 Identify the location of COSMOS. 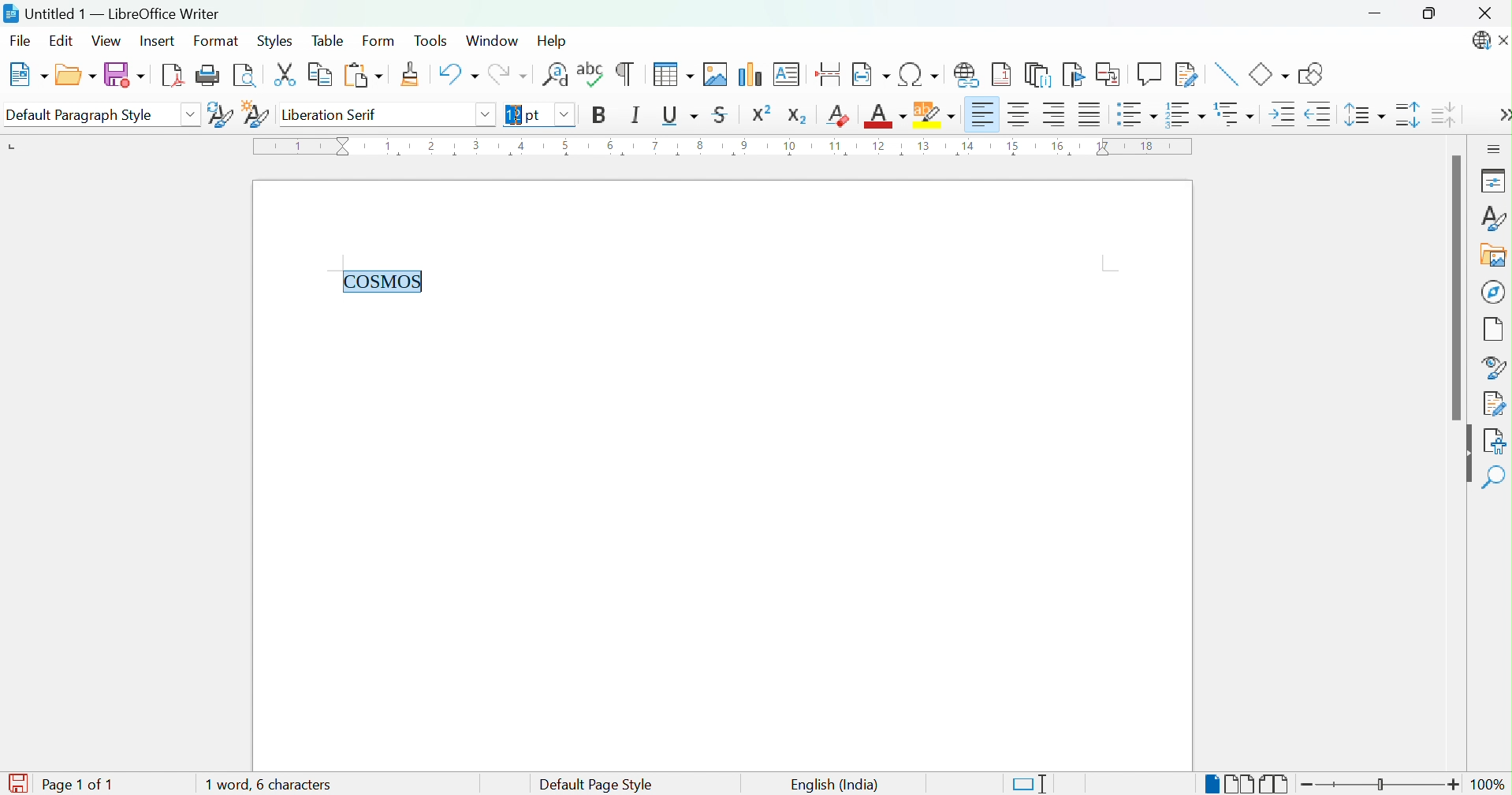
(384, 279).